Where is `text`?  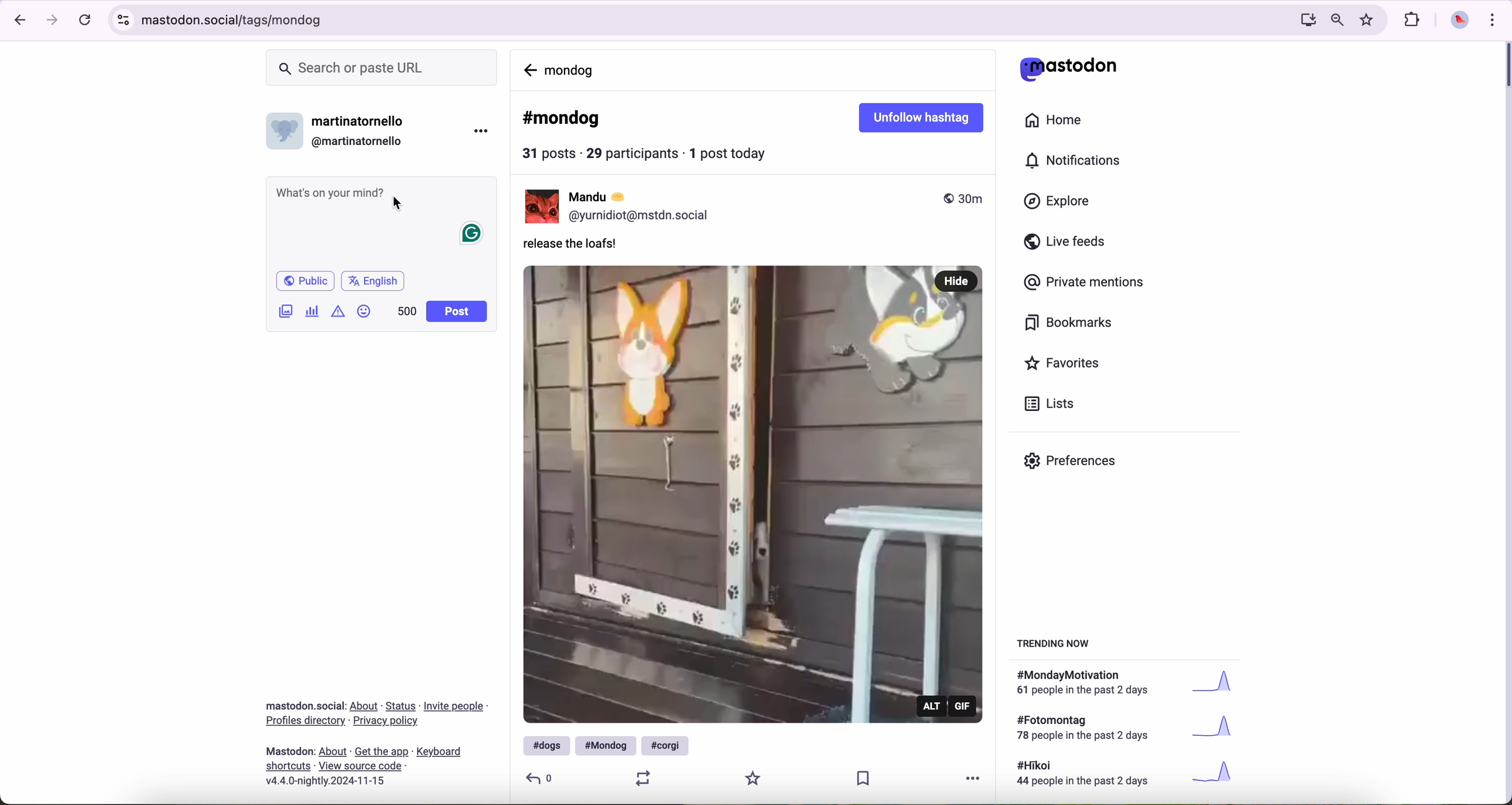
text is located at coordinates (1089, 684).